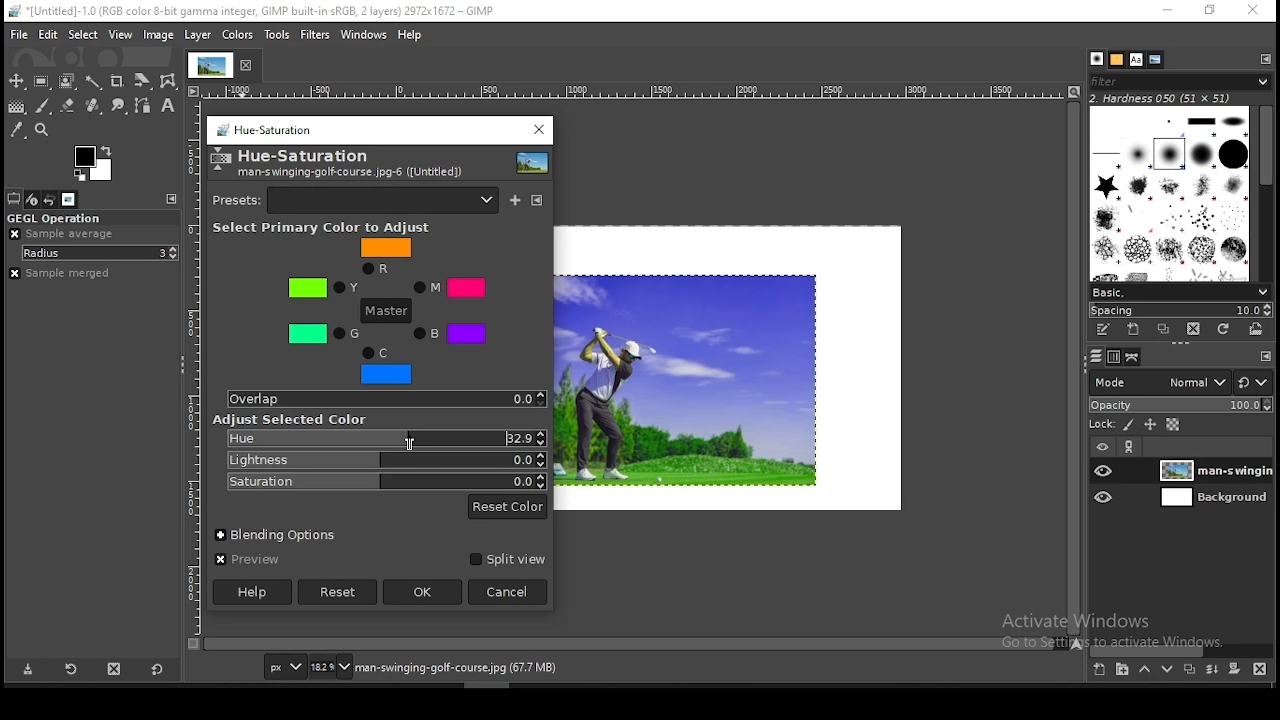 This screenshot has width=1280, height=720. Describe the element at coordinates (1146, 670) in the screenshot. I see `move layer on step up` at that location.